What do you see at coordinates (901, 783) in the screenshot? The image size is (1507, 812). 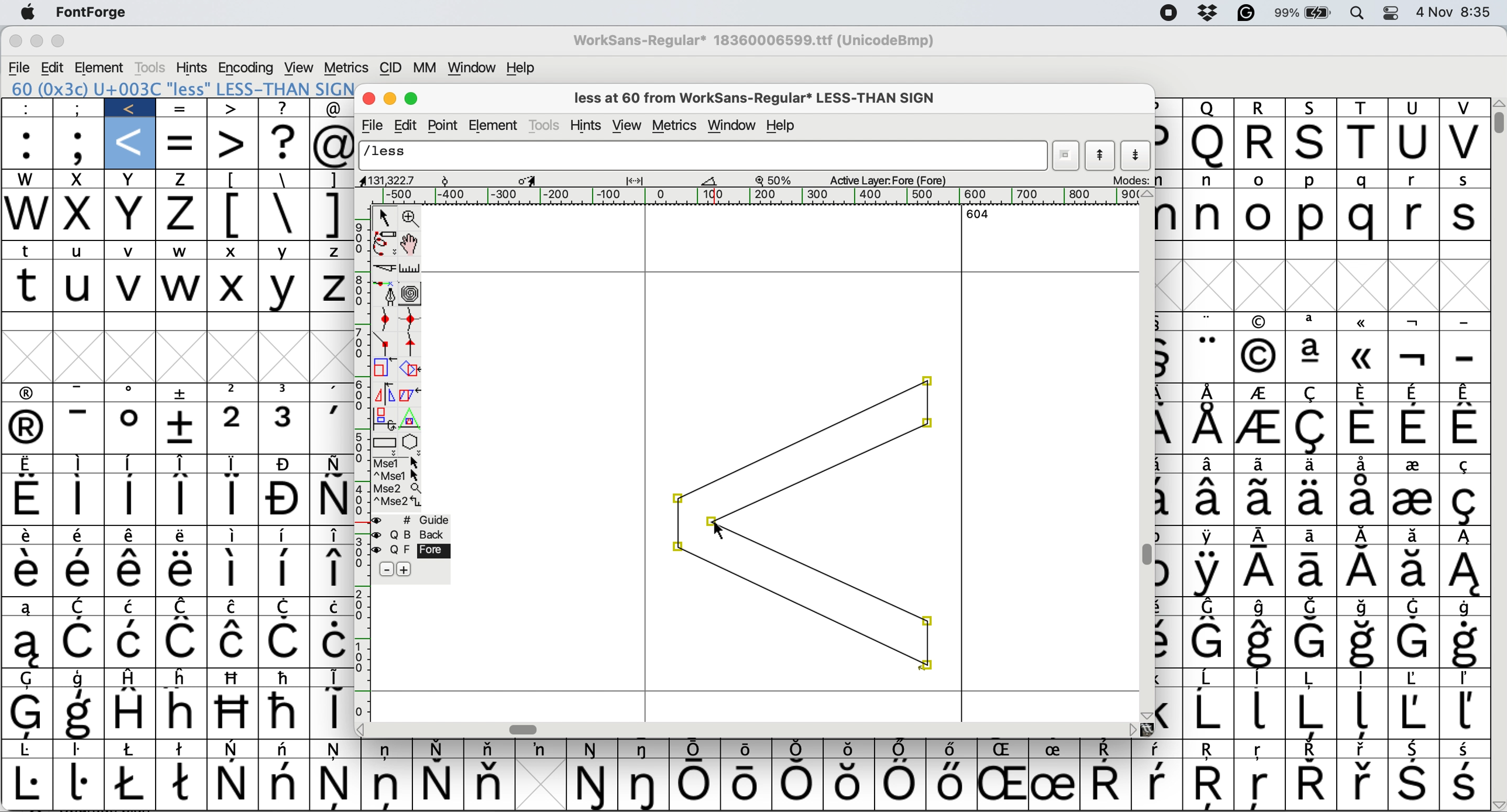 I see `Symbol` at bounding box center [901, 783].